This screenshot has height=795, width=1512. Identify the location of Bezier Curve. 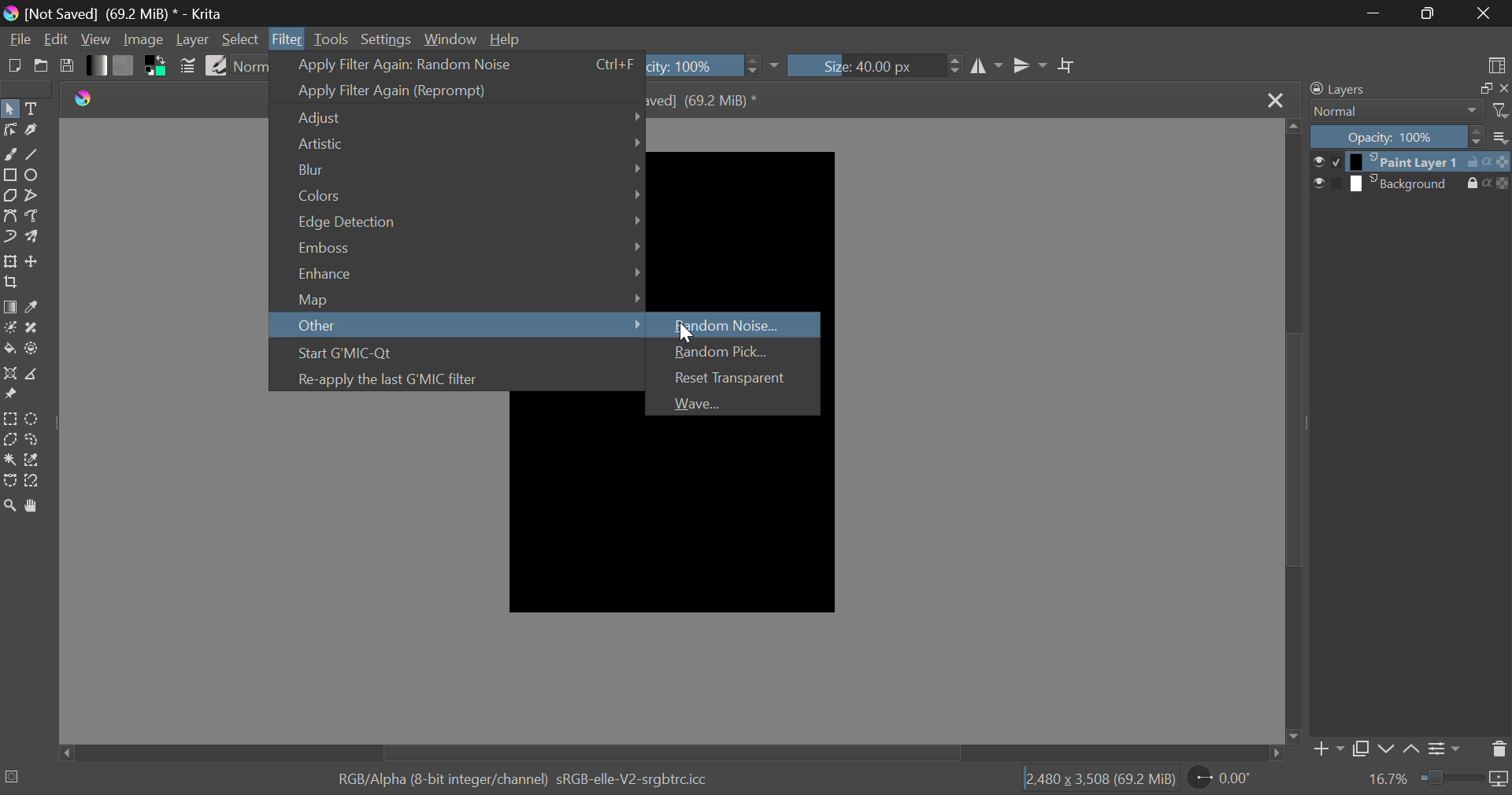
(9, 481).